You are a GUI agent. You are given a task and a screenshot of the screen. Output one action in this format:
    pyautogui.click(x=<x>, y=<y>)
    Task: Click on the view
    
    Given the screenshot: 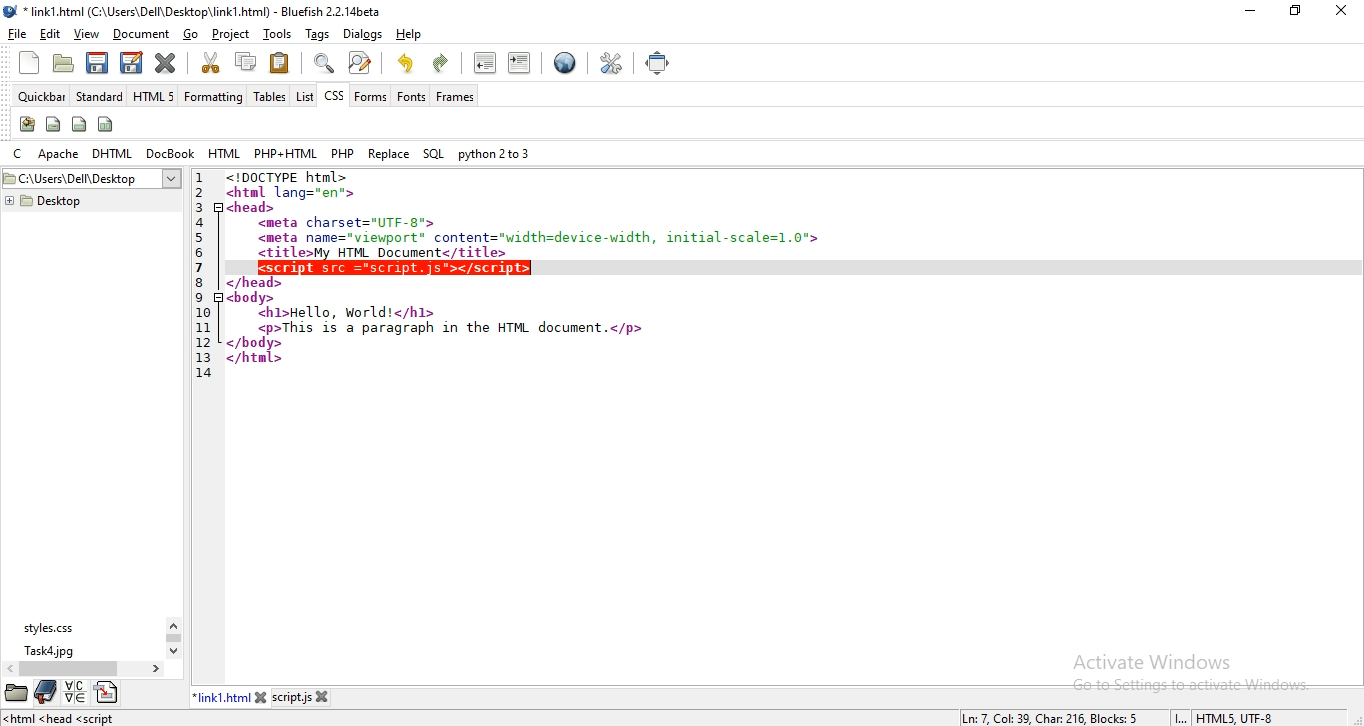 What is the action you would take?
    pyautogui.click(x=85, y=34)
    